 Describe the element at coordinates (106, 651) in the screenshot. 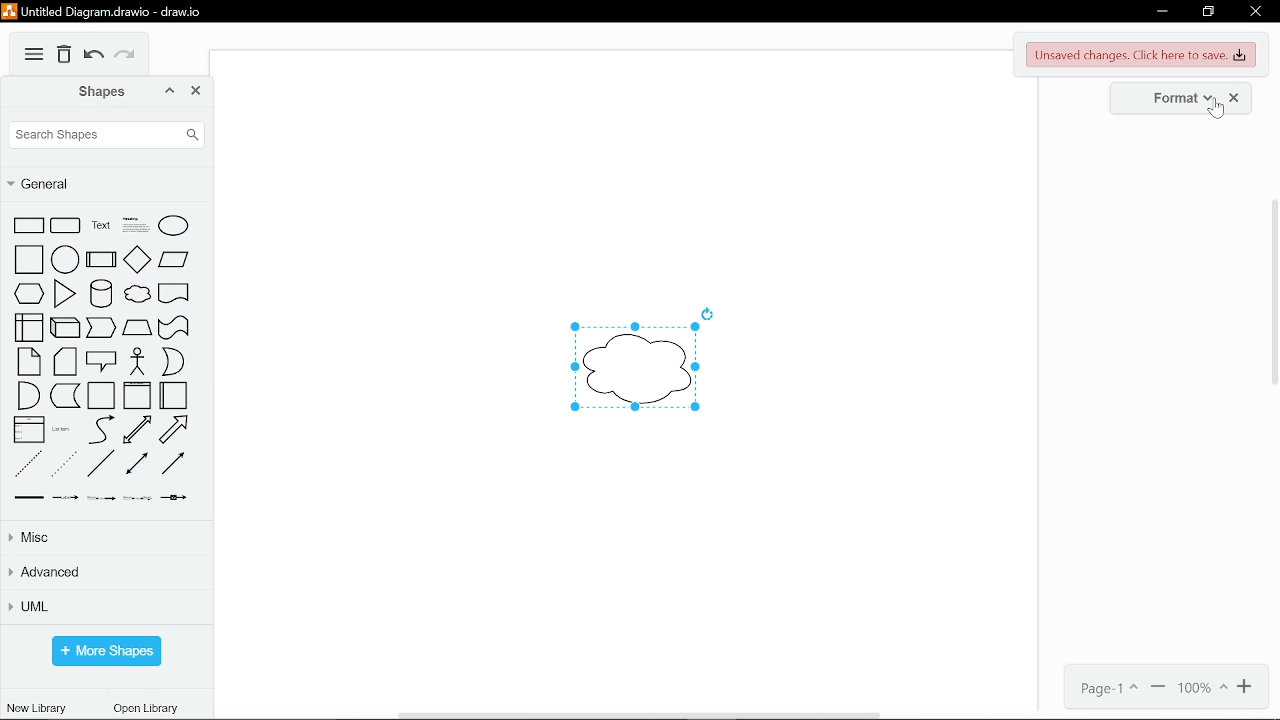

I see `more shapes` at that location.